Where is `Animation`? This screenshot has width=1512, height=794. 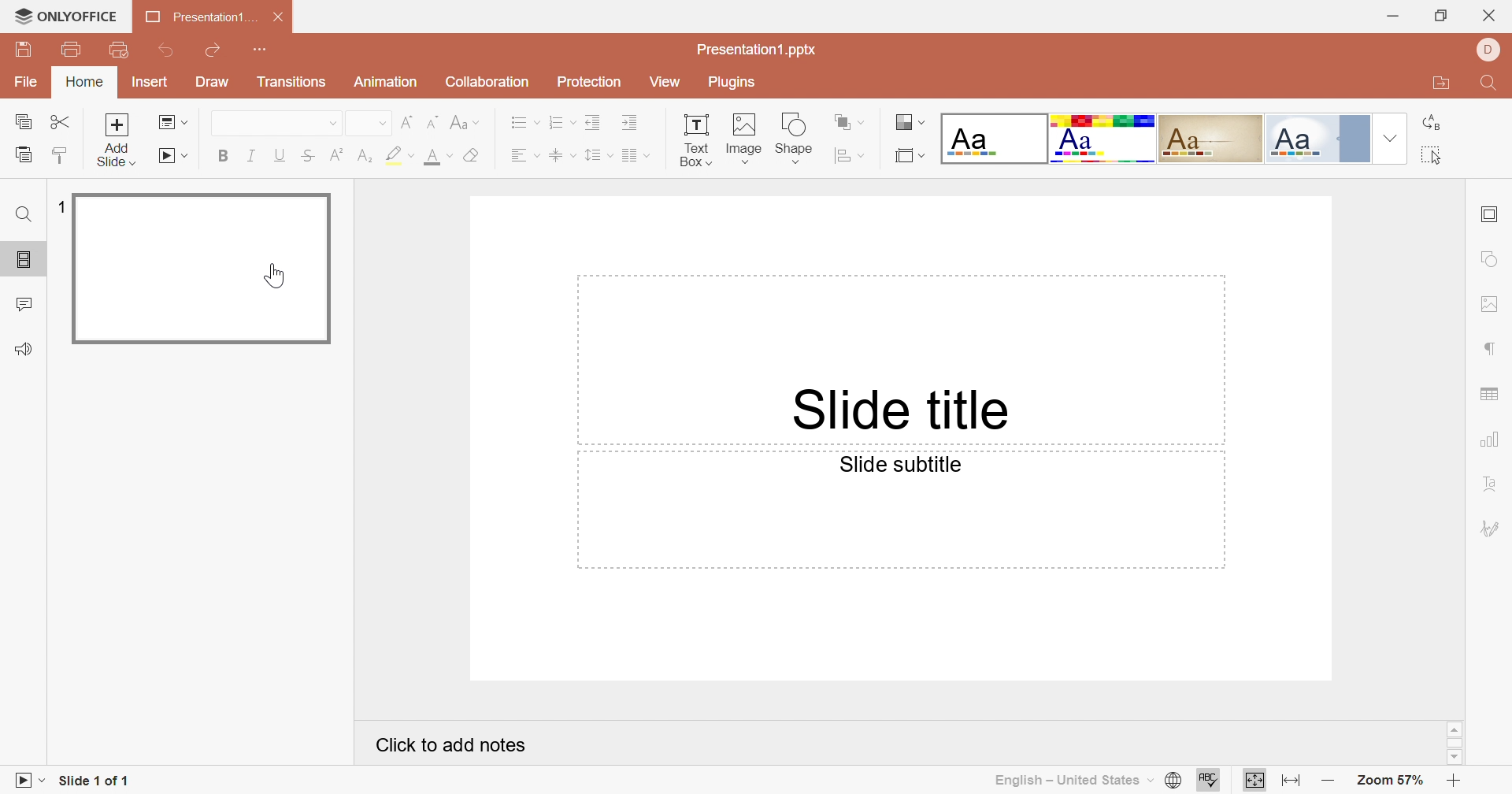 Animation is located at coordinates (386, 82).